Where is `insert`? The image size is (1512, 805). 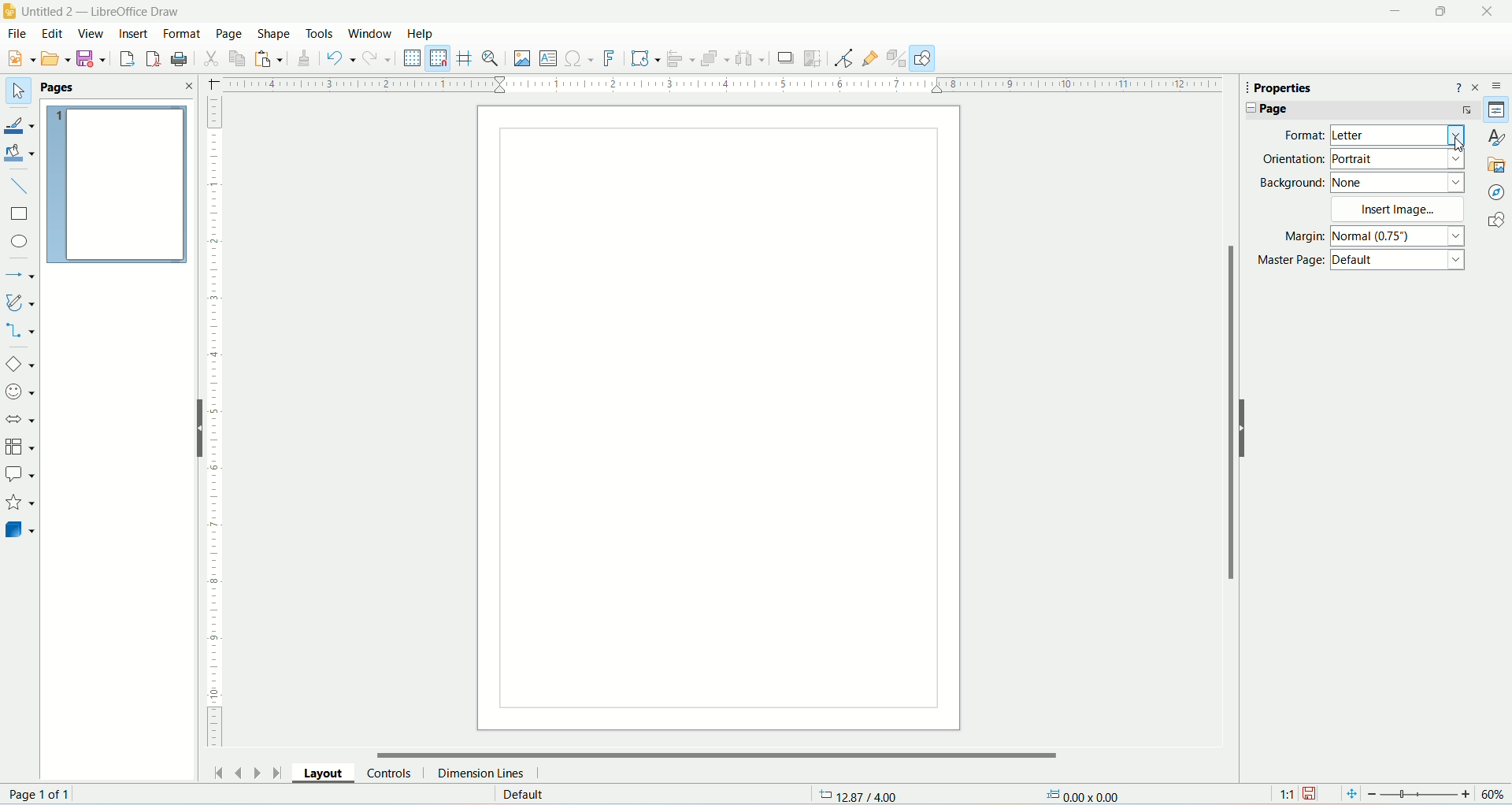 insert is located at coordinates (135, 32).